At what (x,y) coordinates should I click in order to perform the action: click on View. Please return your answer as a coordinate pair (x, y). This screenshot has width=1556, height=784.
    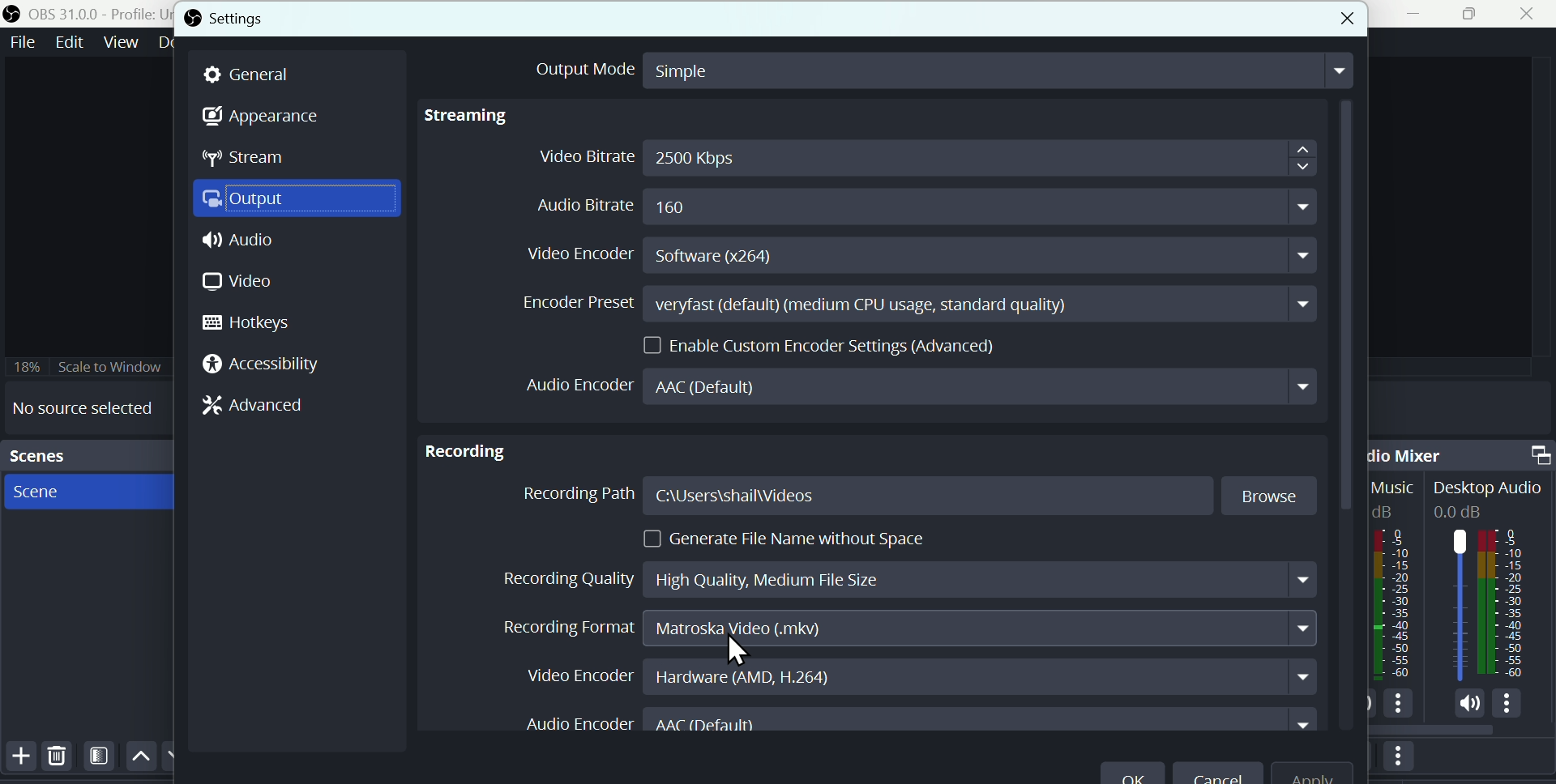
    Looking at the image, I should click on (120, 42).